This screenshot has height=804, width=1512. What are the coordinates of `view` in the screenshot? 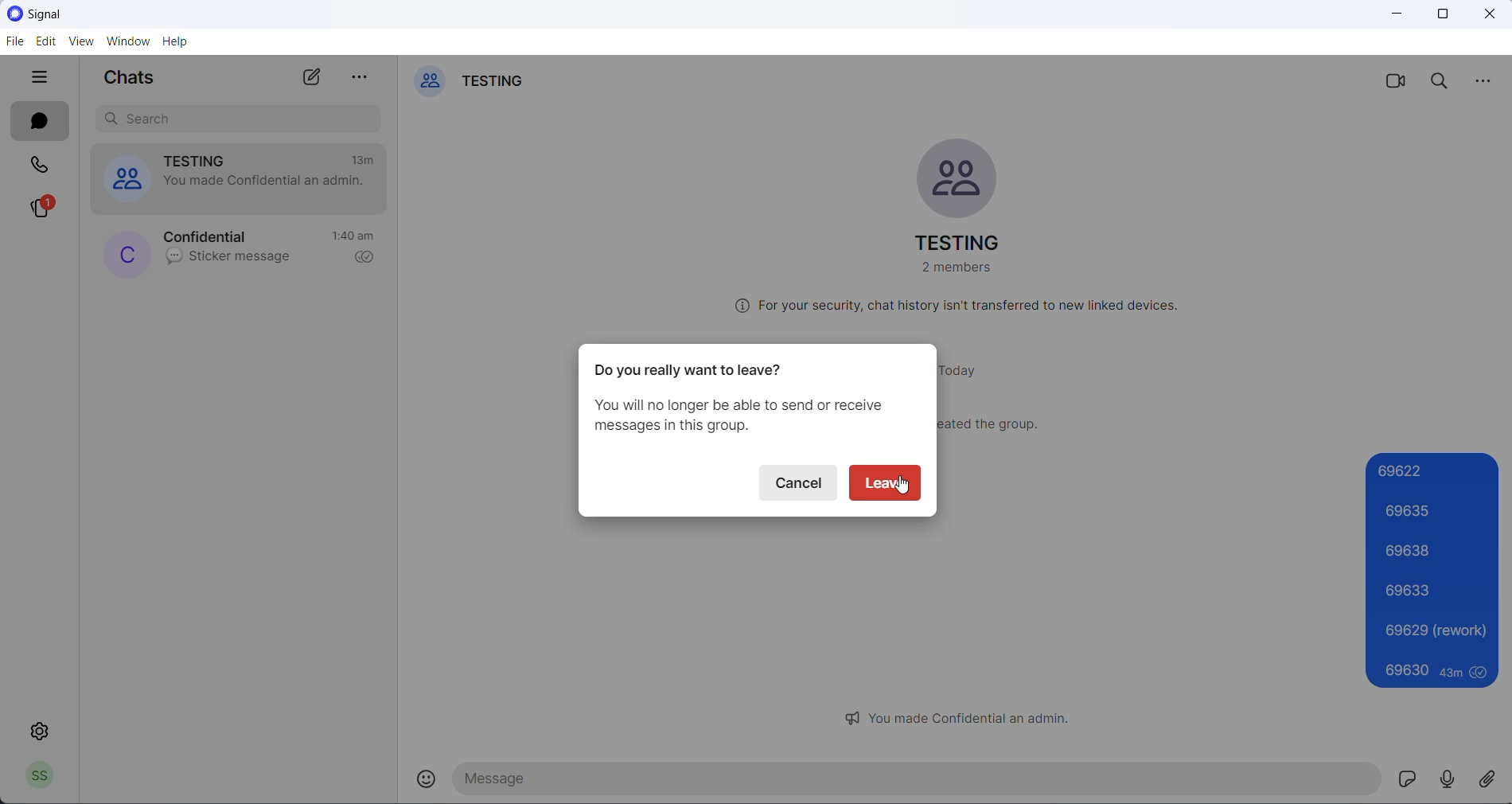 It's located at (80, 44).